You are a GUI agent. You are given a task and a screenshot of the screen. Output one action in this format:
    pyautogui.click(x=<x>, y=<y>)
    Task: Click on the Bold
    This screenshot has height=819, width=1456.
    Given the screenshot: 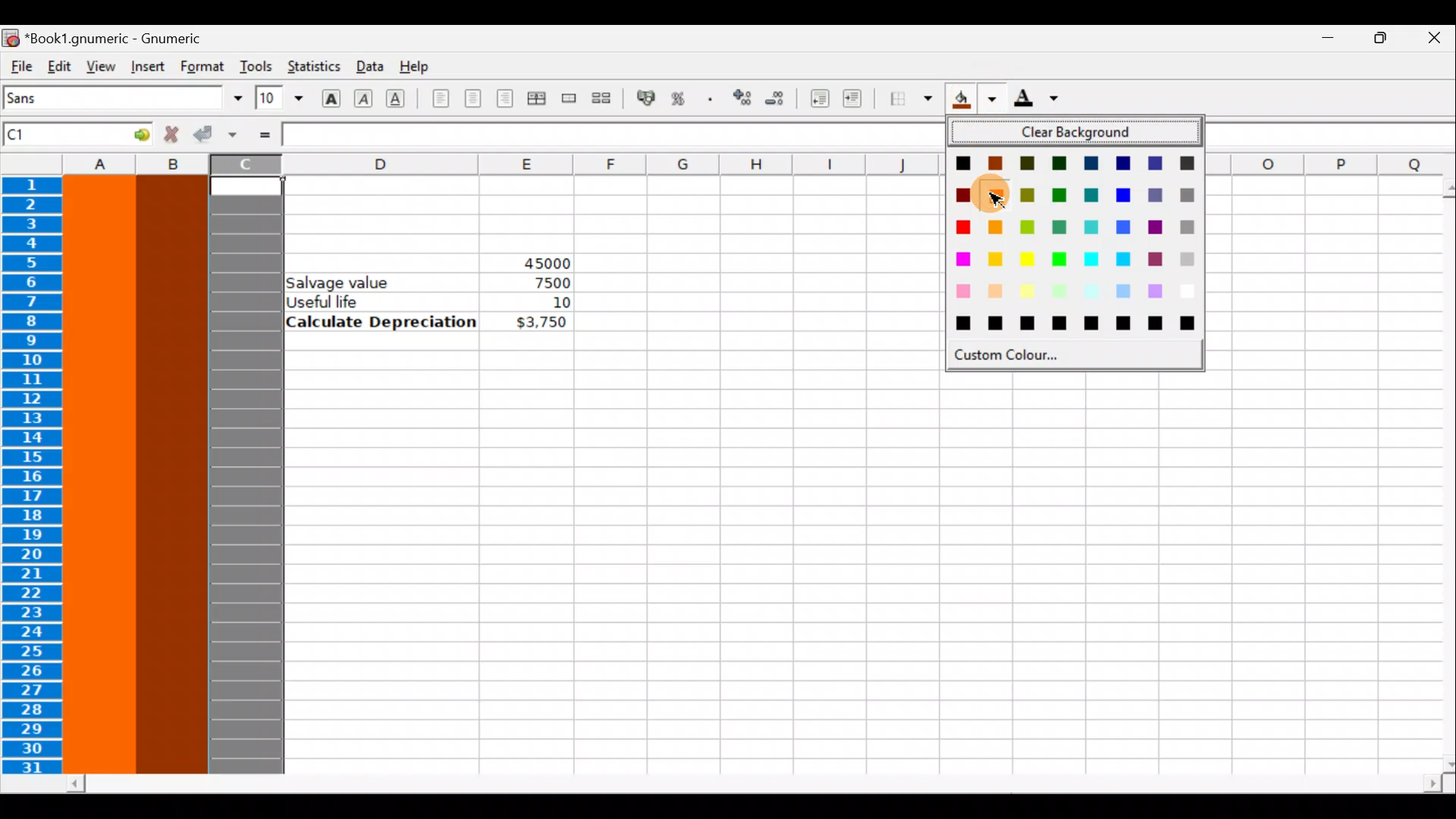 What is the action you would take?
    pyautogui.click(x=331, y=96)
    